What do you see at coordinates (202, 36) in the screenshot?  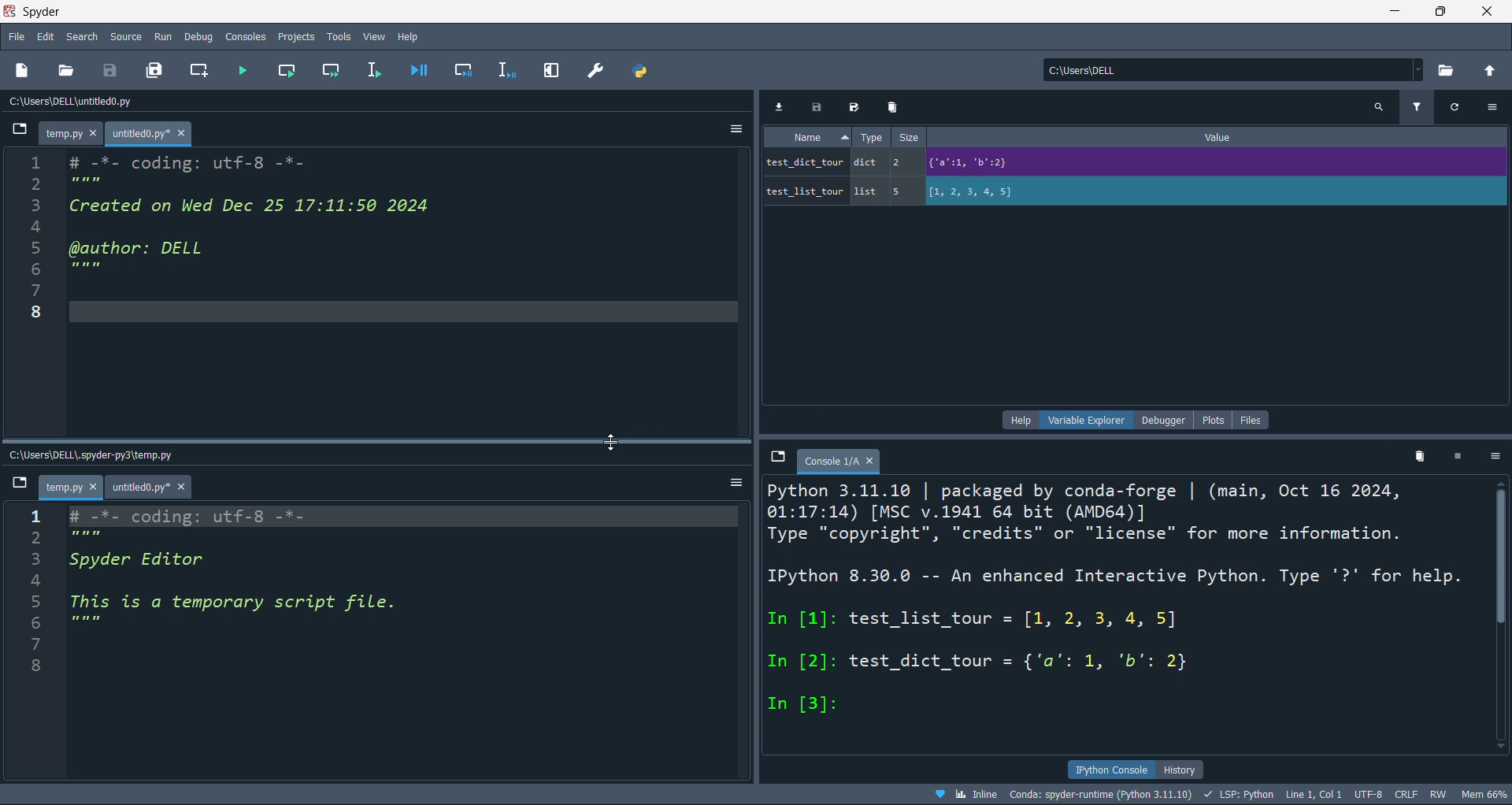 I see `debug` at bounding box center [202, 36].